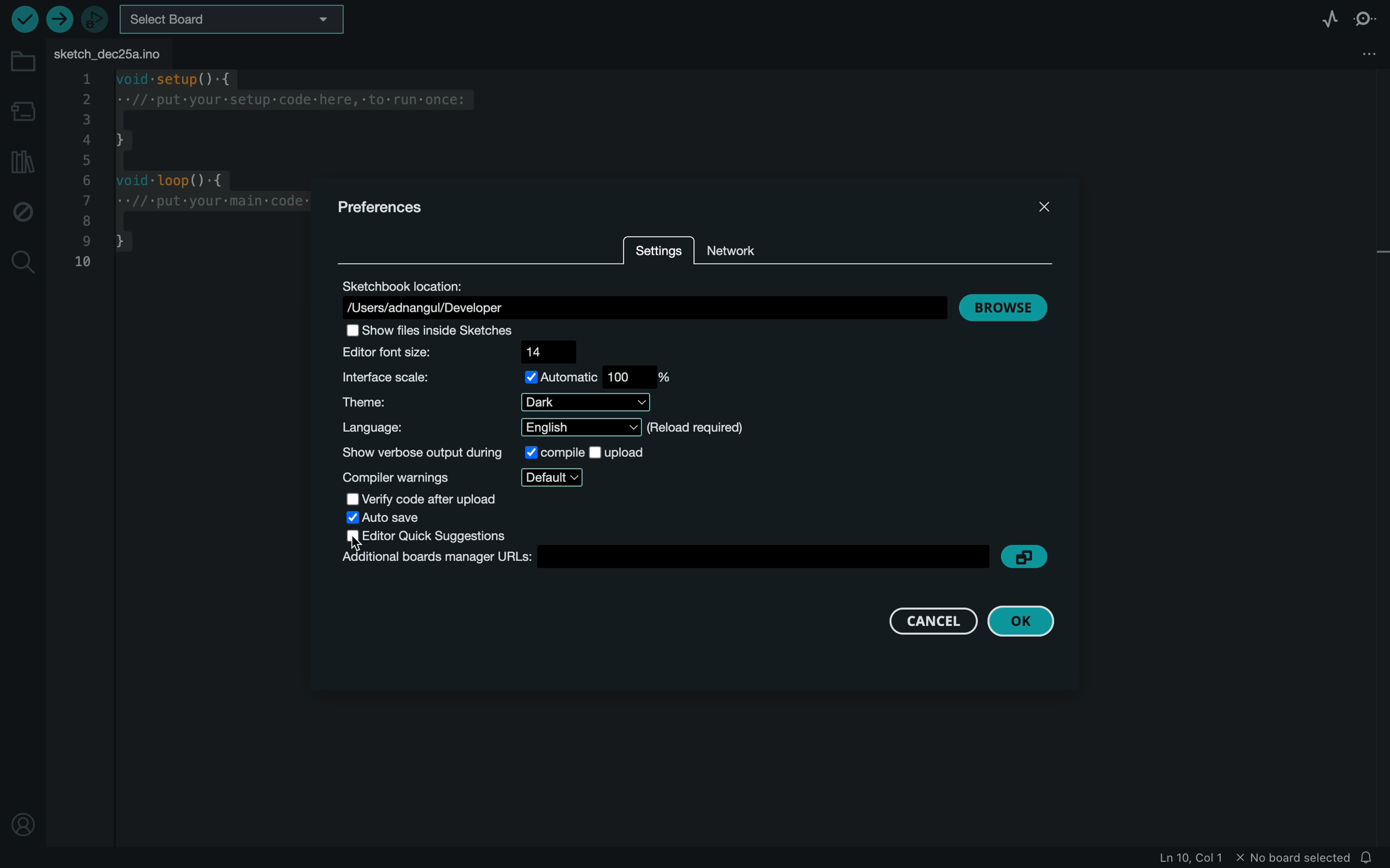  Describe the element at coordinates (465, 477) in the screenshot. I see `compiler` at that location.